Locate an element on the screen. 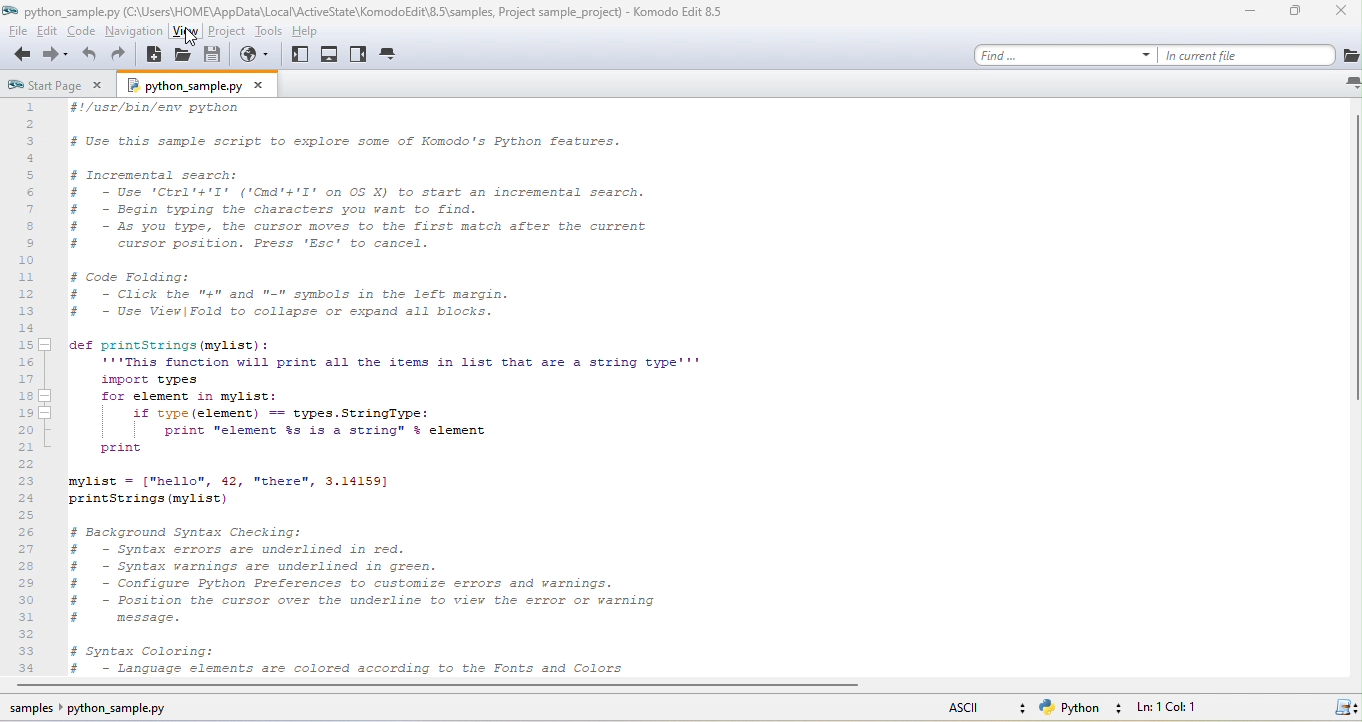  file is located at coordinates (17, 34).